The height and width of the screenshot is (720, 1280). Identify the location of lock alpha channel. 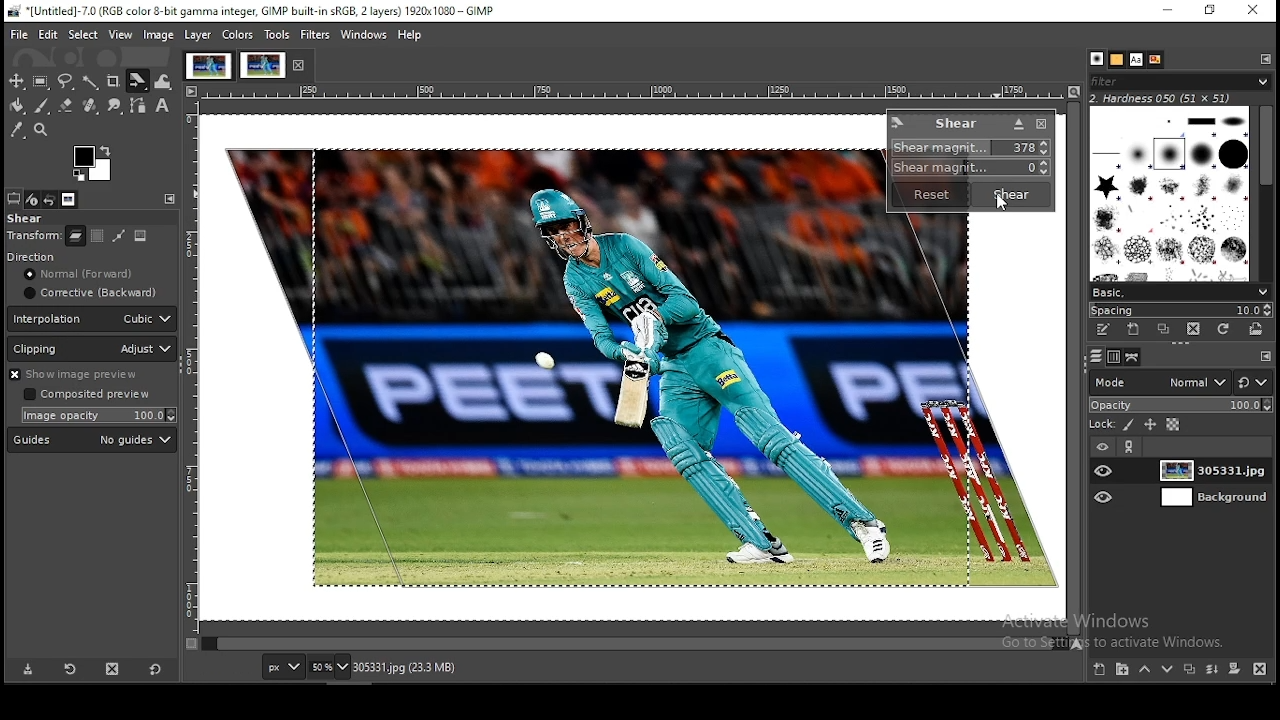
(1174, 426).